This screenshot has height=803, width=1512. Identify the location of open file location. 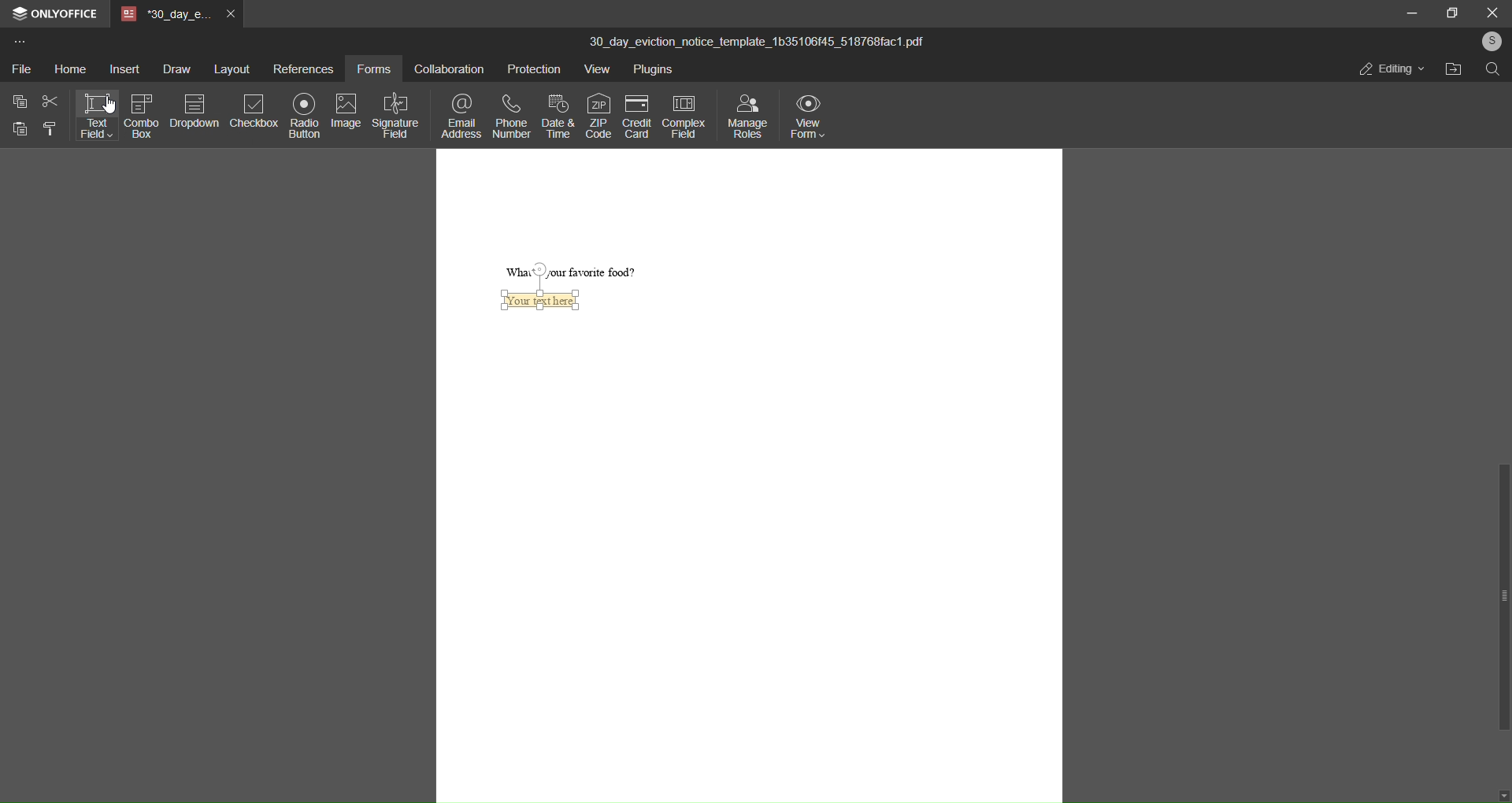
(1450, 68).